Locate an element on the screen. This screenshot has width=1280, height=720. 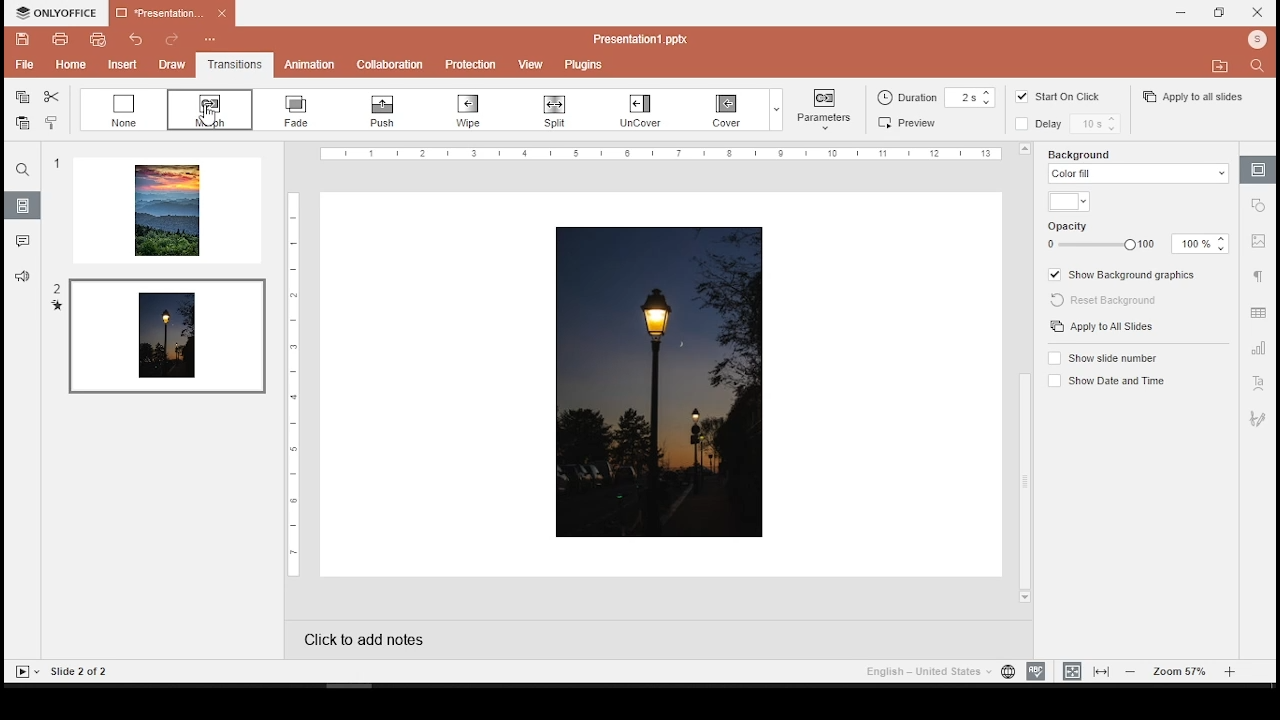
comments is located at coordinates (21, 238).